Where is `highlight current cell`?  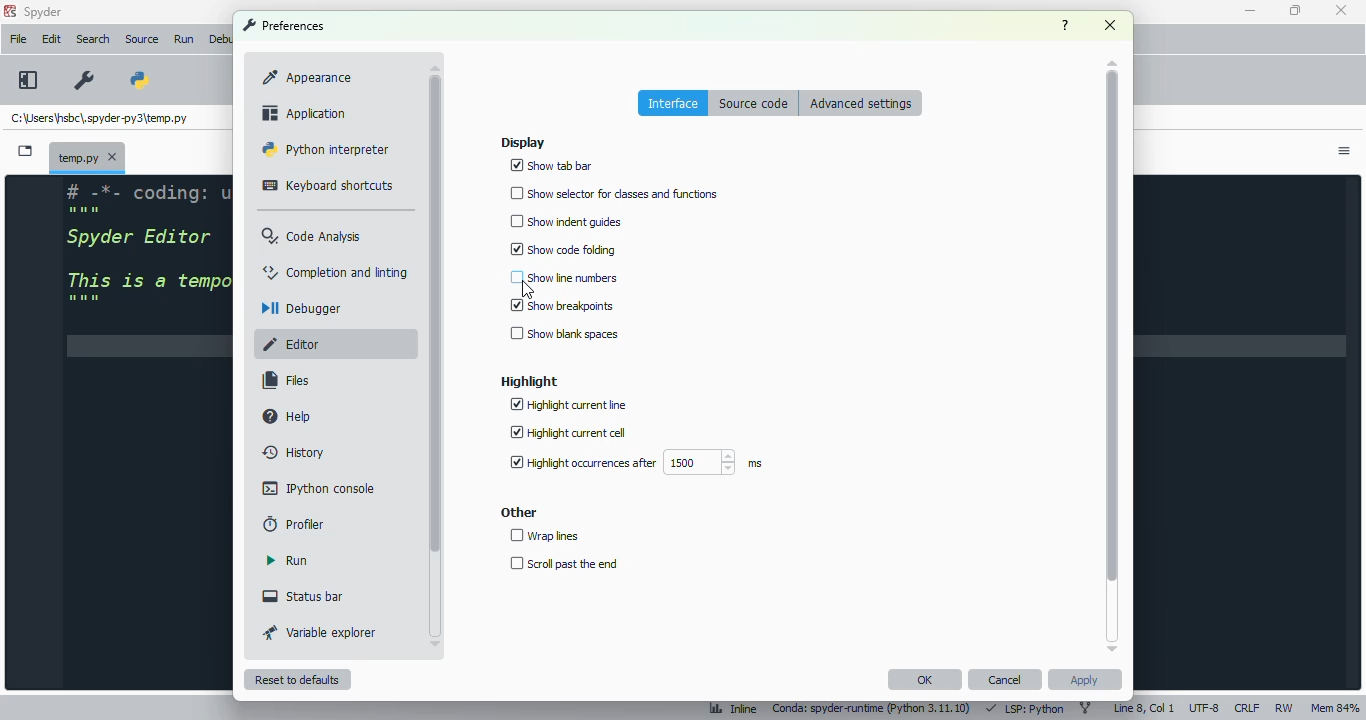 highlight current cell is located at coordinates (567, 433).